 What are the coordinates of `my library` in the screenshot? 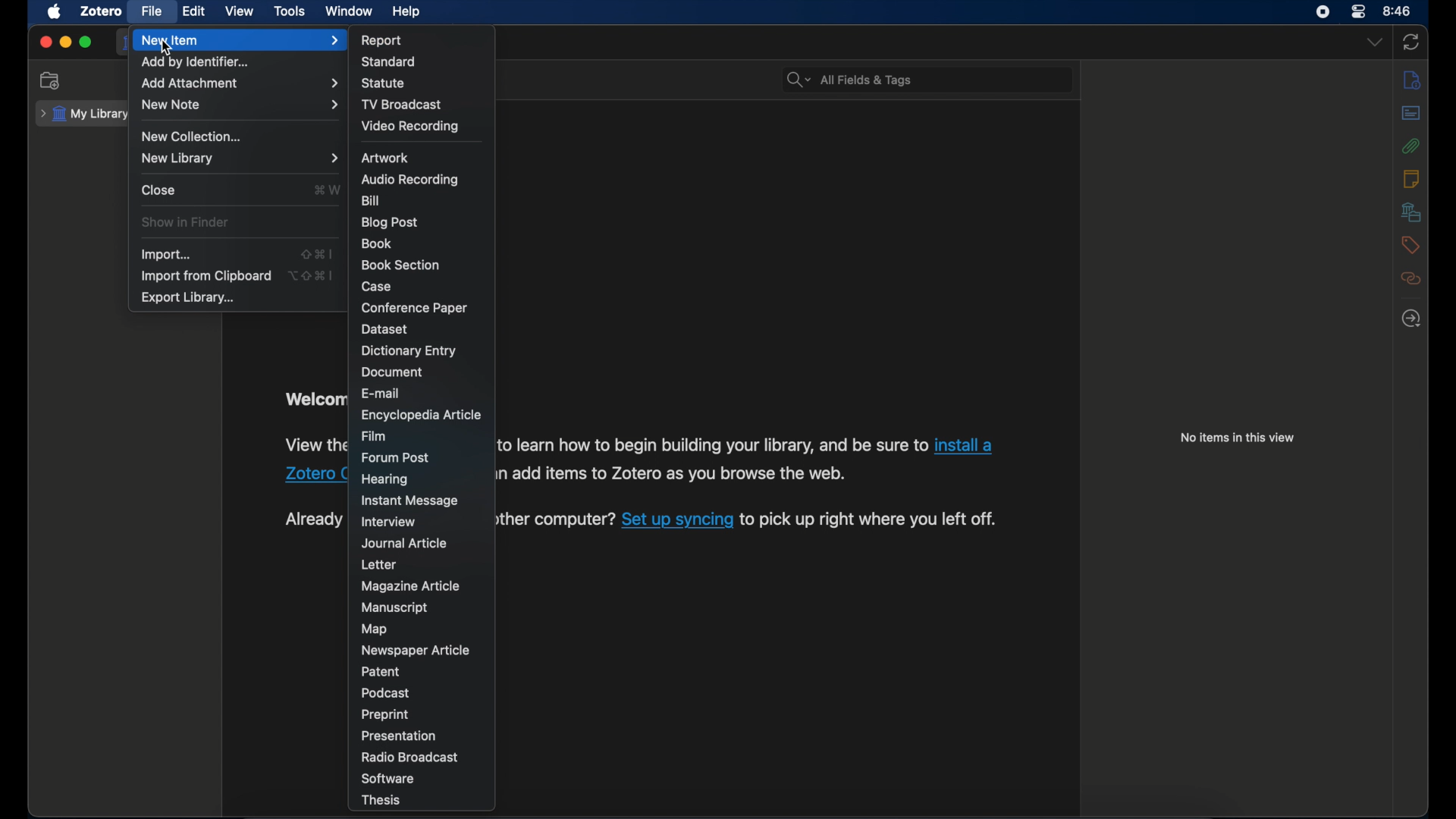 It's located at (83, 115).